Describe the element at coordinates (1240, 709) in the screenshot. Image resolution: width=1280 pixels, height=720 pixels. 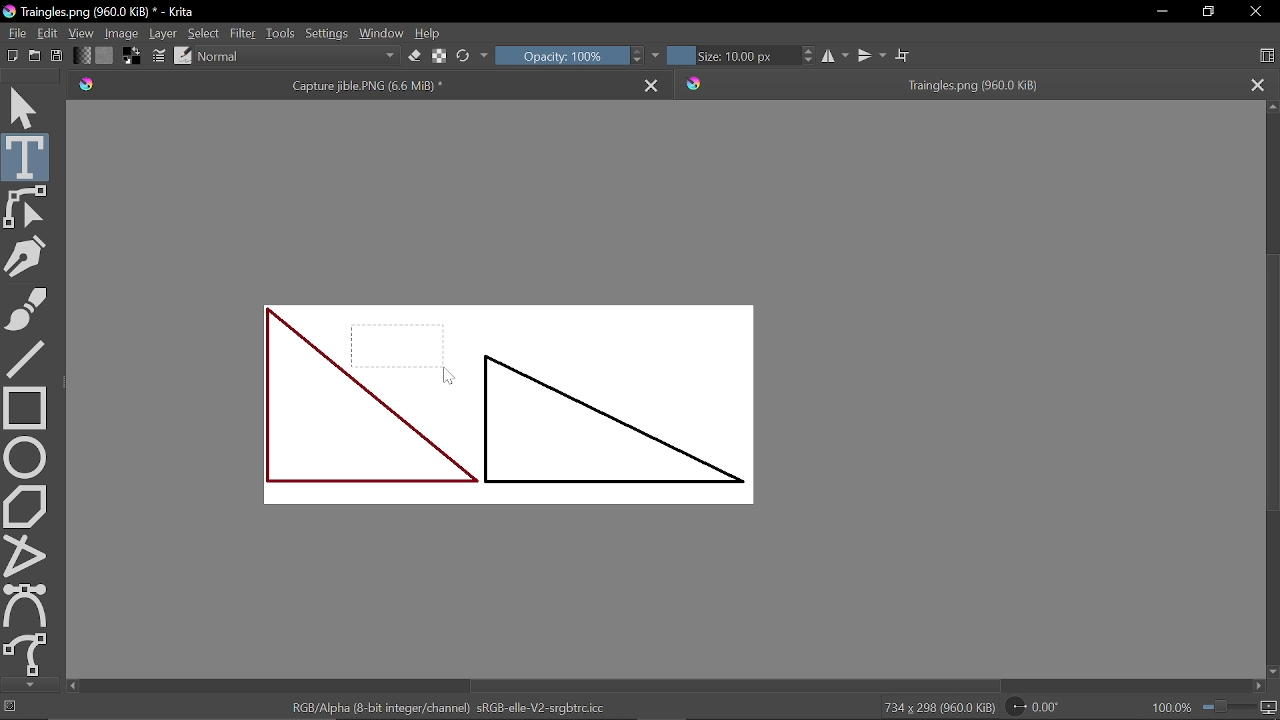
I see `Zoom` at that location.